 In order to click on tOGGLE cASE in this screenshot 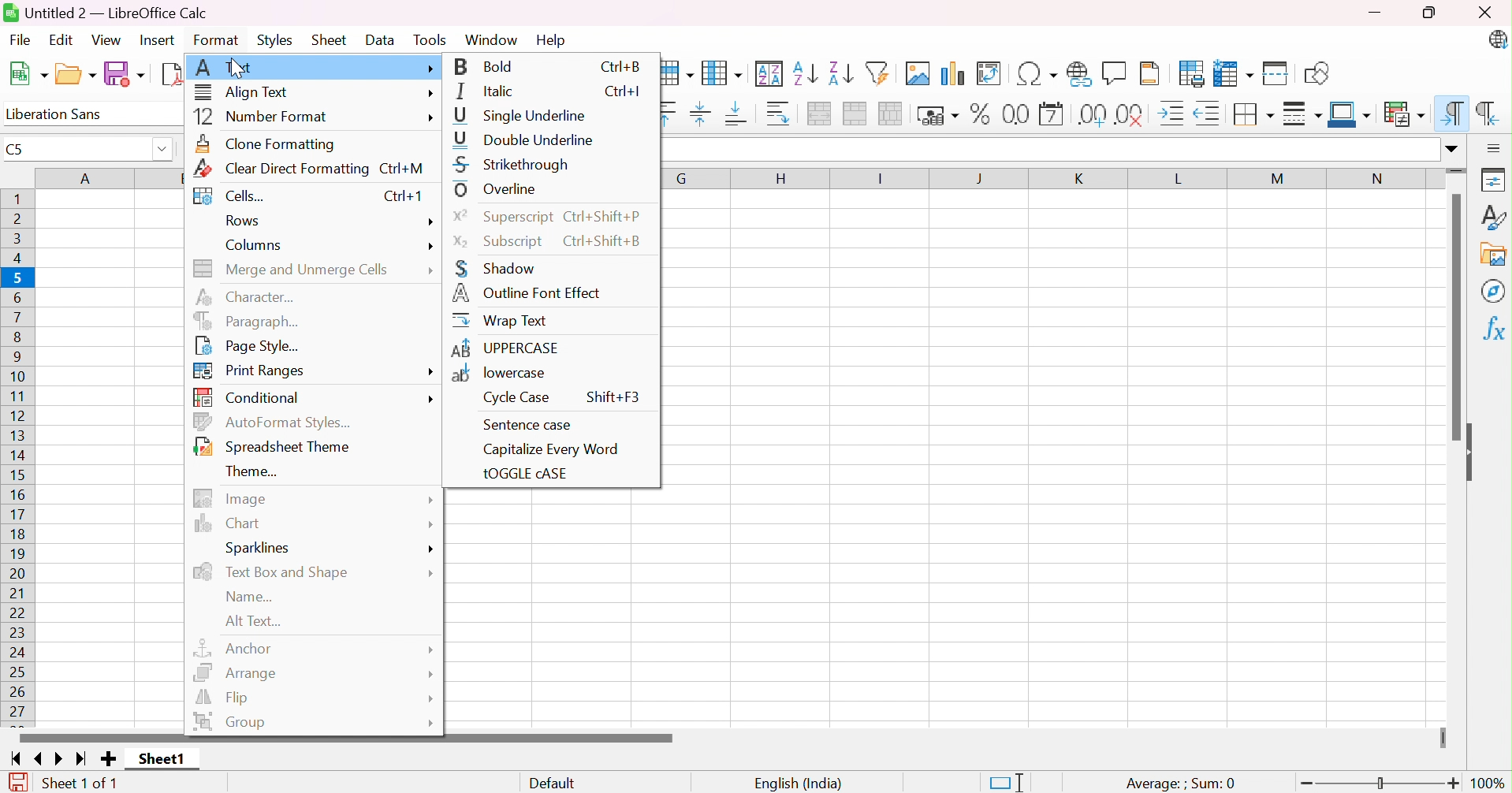, I will do `click(525, 474)`.